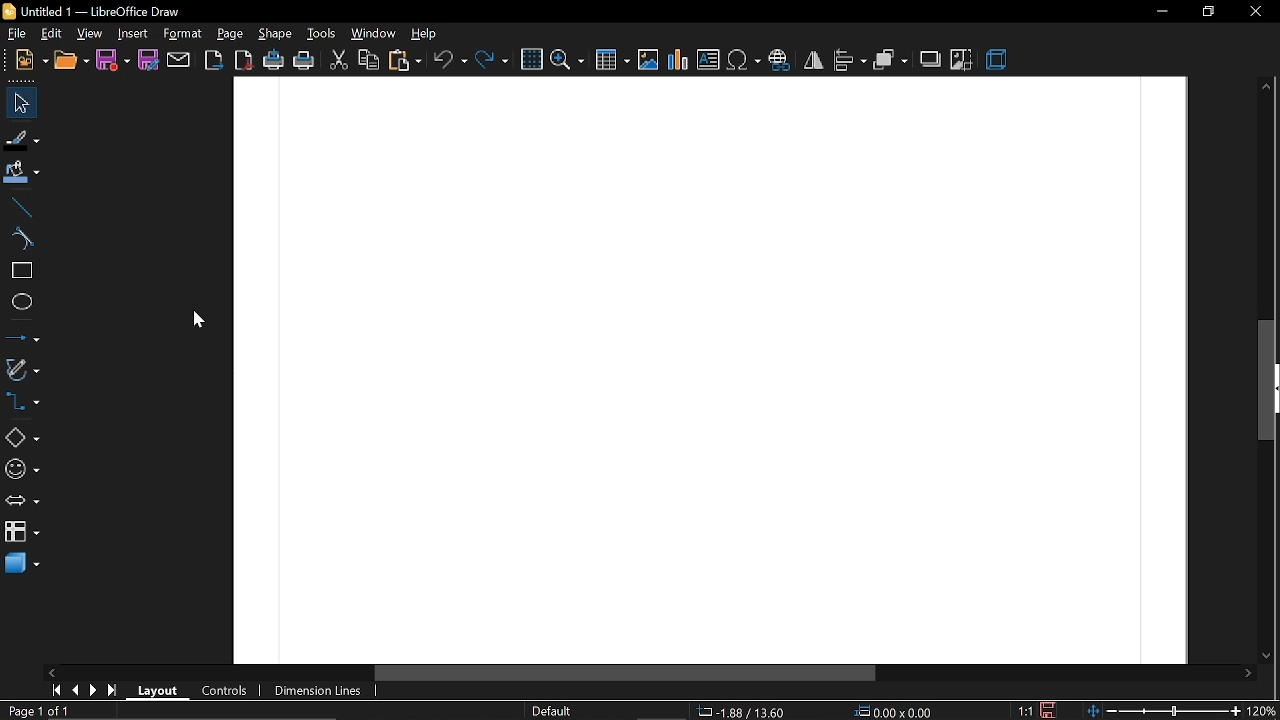 The image size is (1280, 720). Describe the element at coordinates (202, 320) in the screenshot. I see `cursor` at that location.